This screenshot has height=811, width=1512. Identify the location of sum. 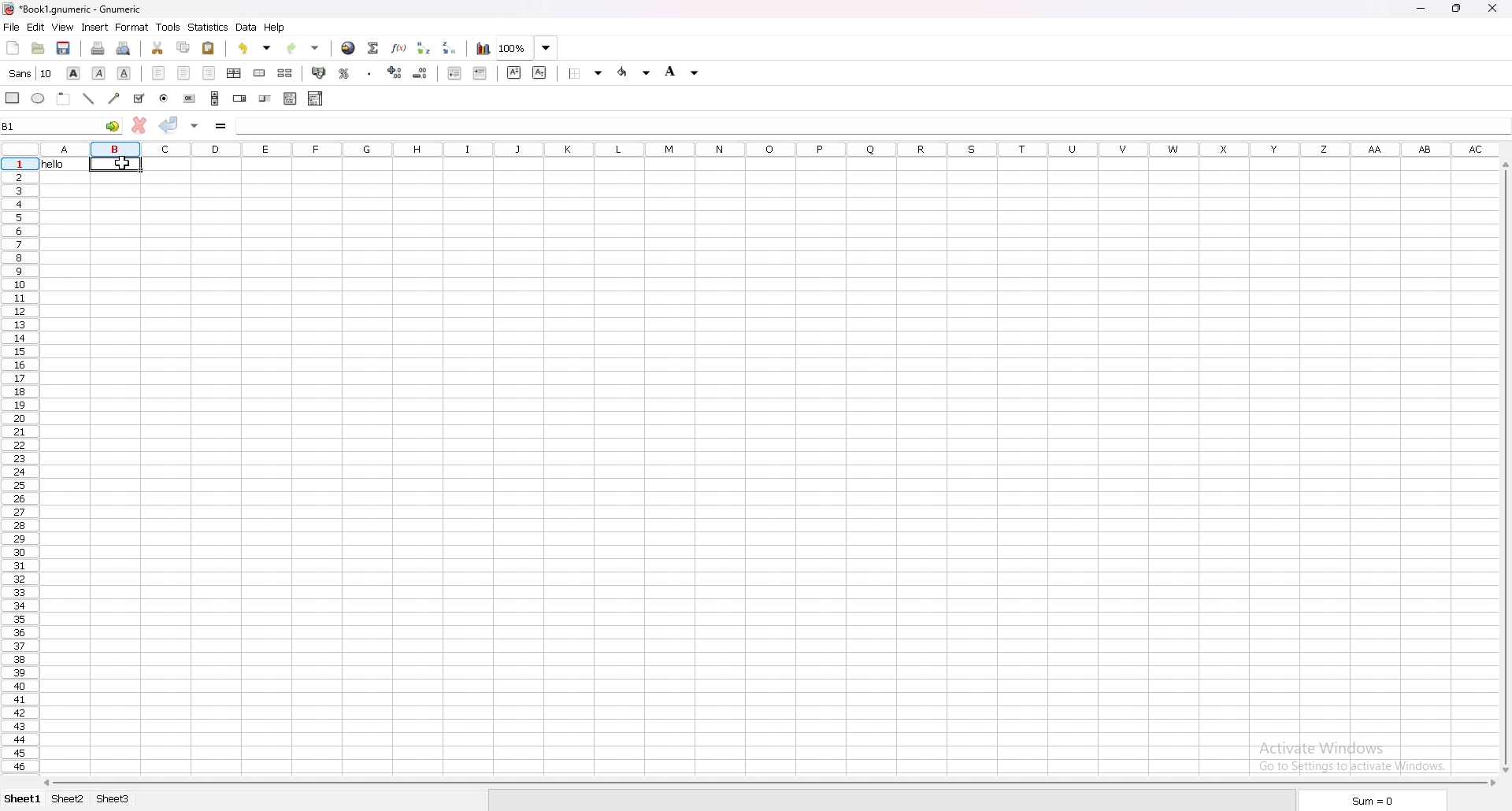
(372, 47).